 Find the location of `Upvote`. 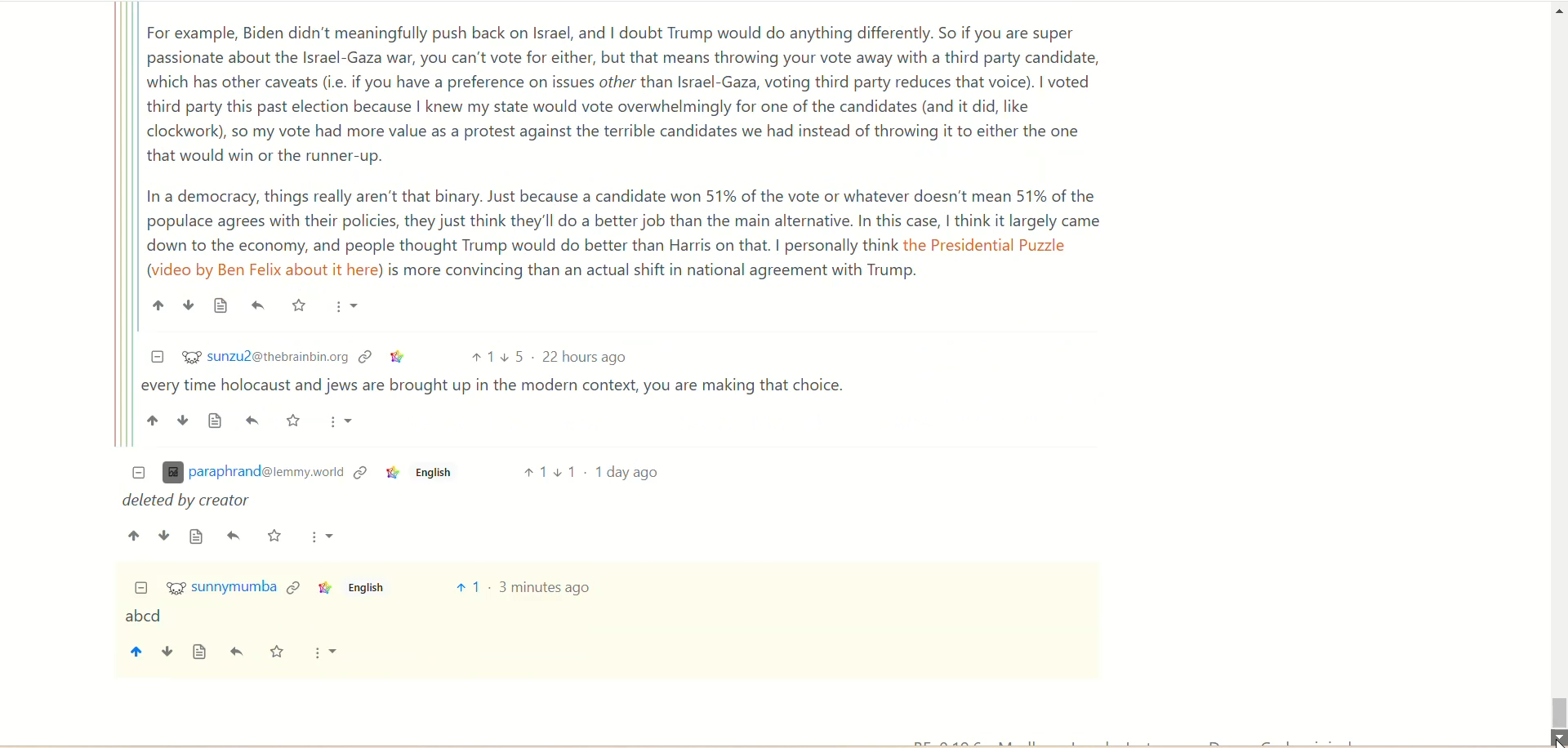

Upvote is located at coordinates (481, 357).